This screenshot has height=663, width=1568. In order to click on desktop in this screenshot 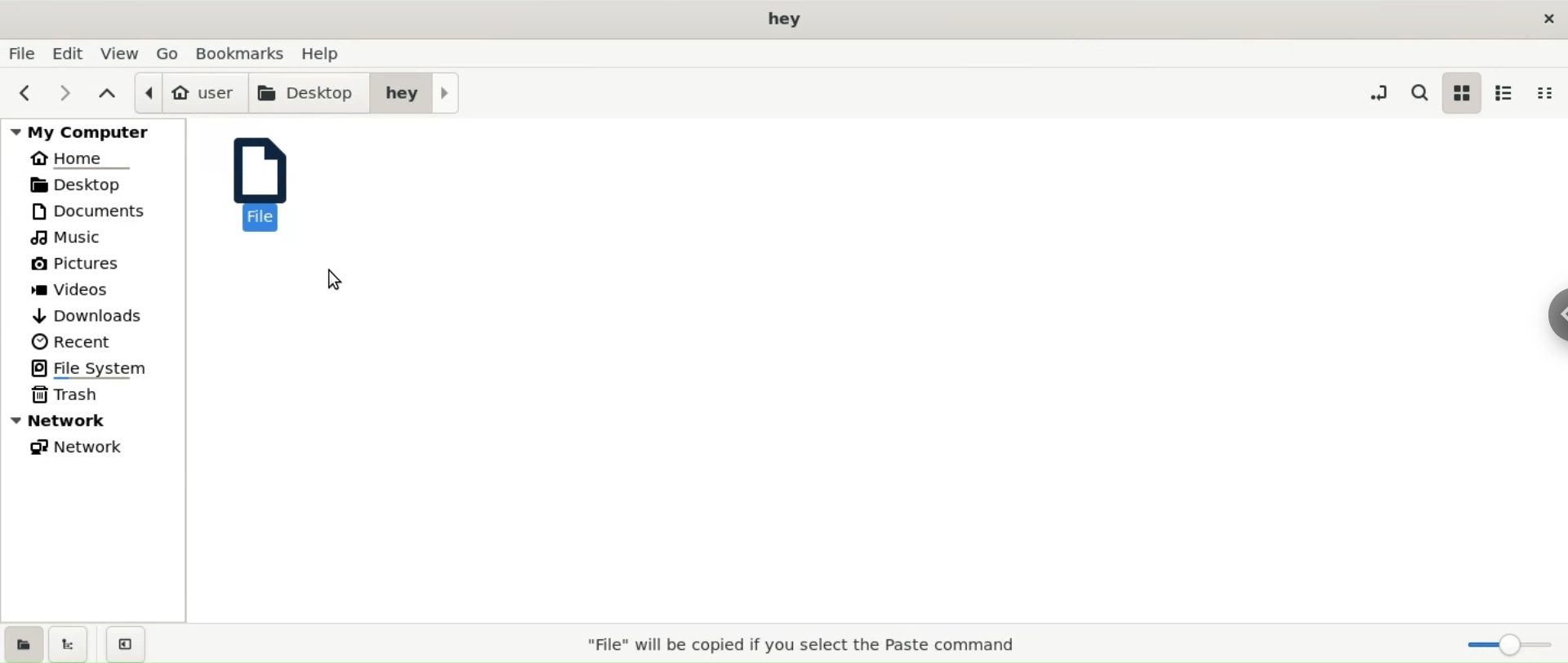, I will do `click(310, 90)`.